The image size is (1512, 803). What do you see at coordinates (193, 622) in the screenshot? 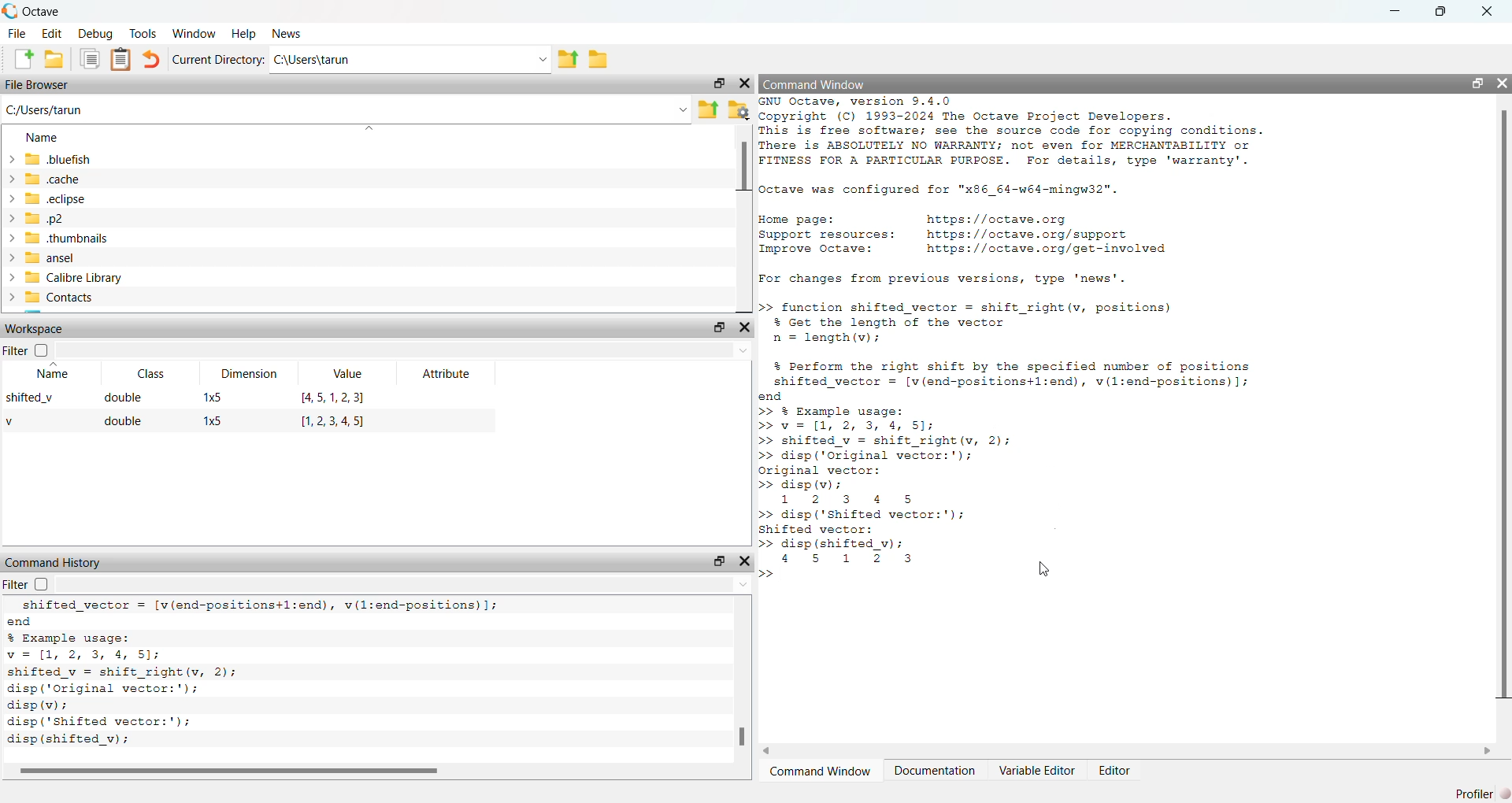
I see `end` at bounding box center [193, 622].